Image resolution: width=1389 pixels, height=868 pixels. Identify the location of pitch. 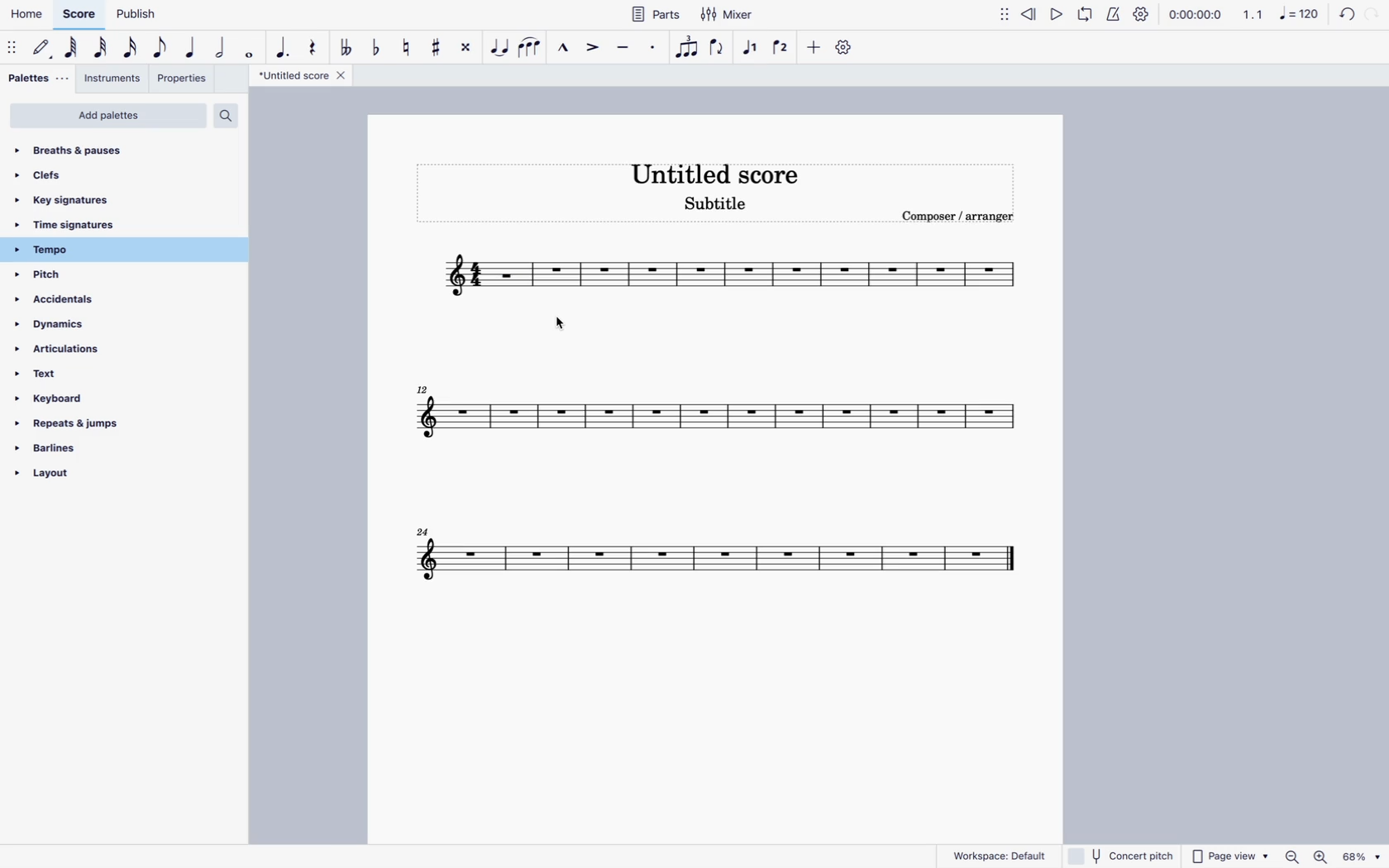
(77, 275).